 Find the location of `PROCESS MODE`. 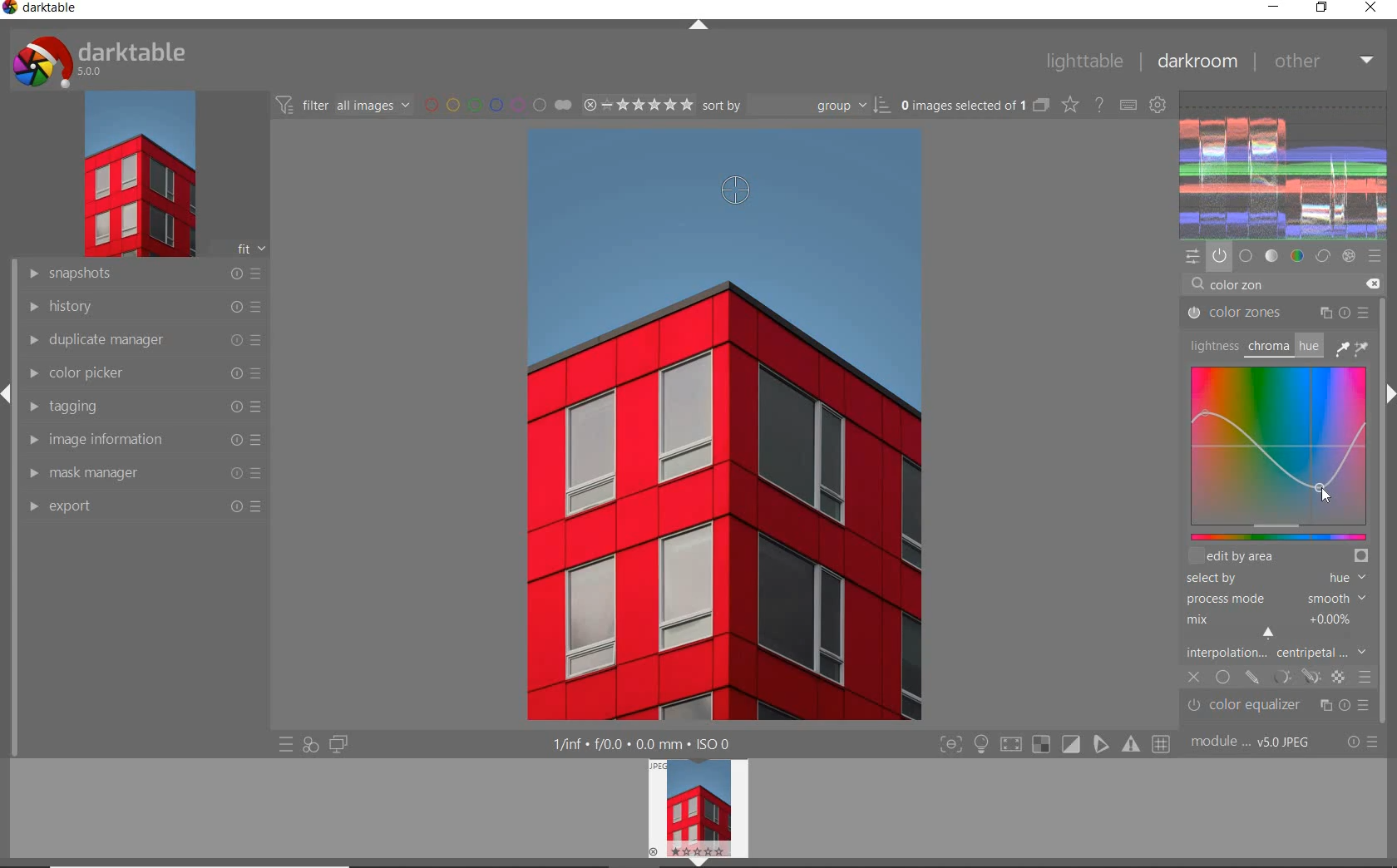

PROCESS MODE is located at coordinates (1274, 598).